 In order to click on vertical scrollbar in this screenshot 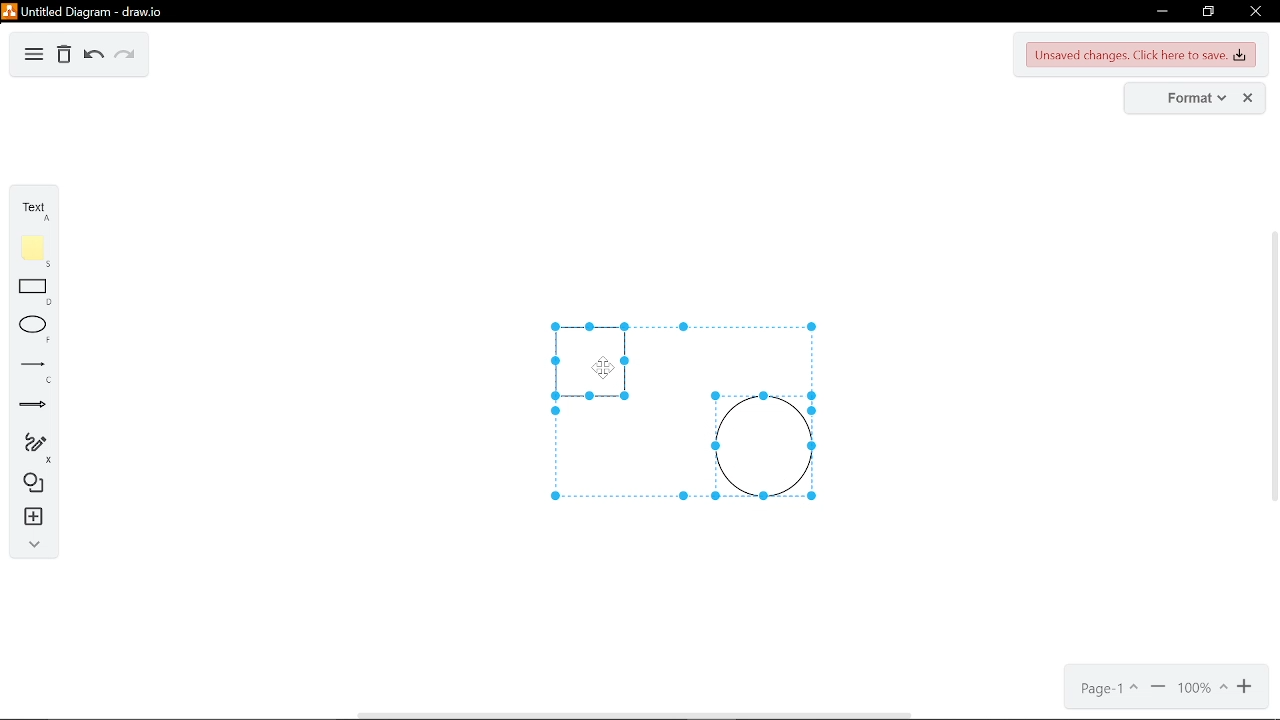, I will do `click(1272, 364)`.